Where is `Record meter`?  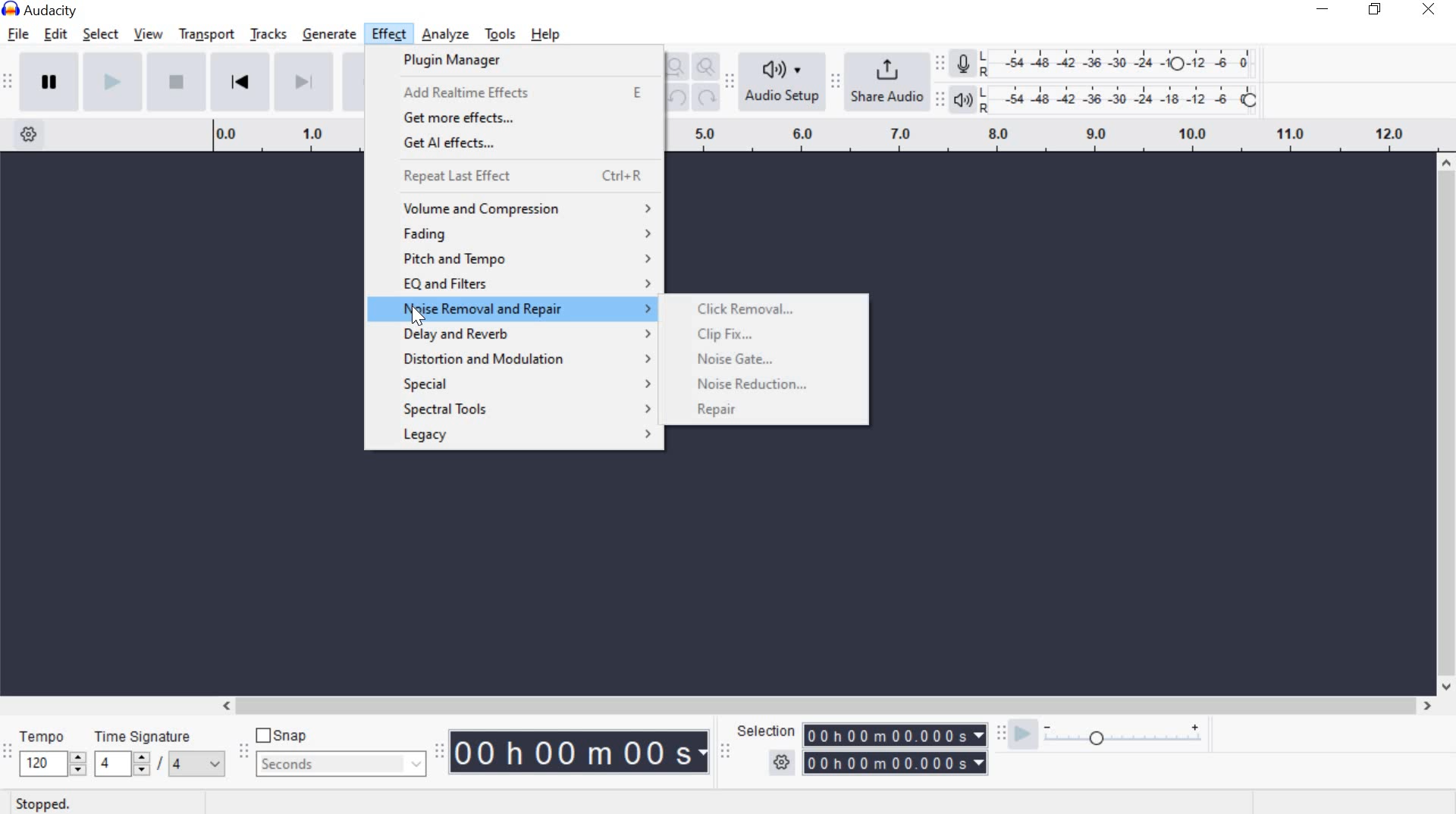 Record meter is located at coordinates (965, 64).